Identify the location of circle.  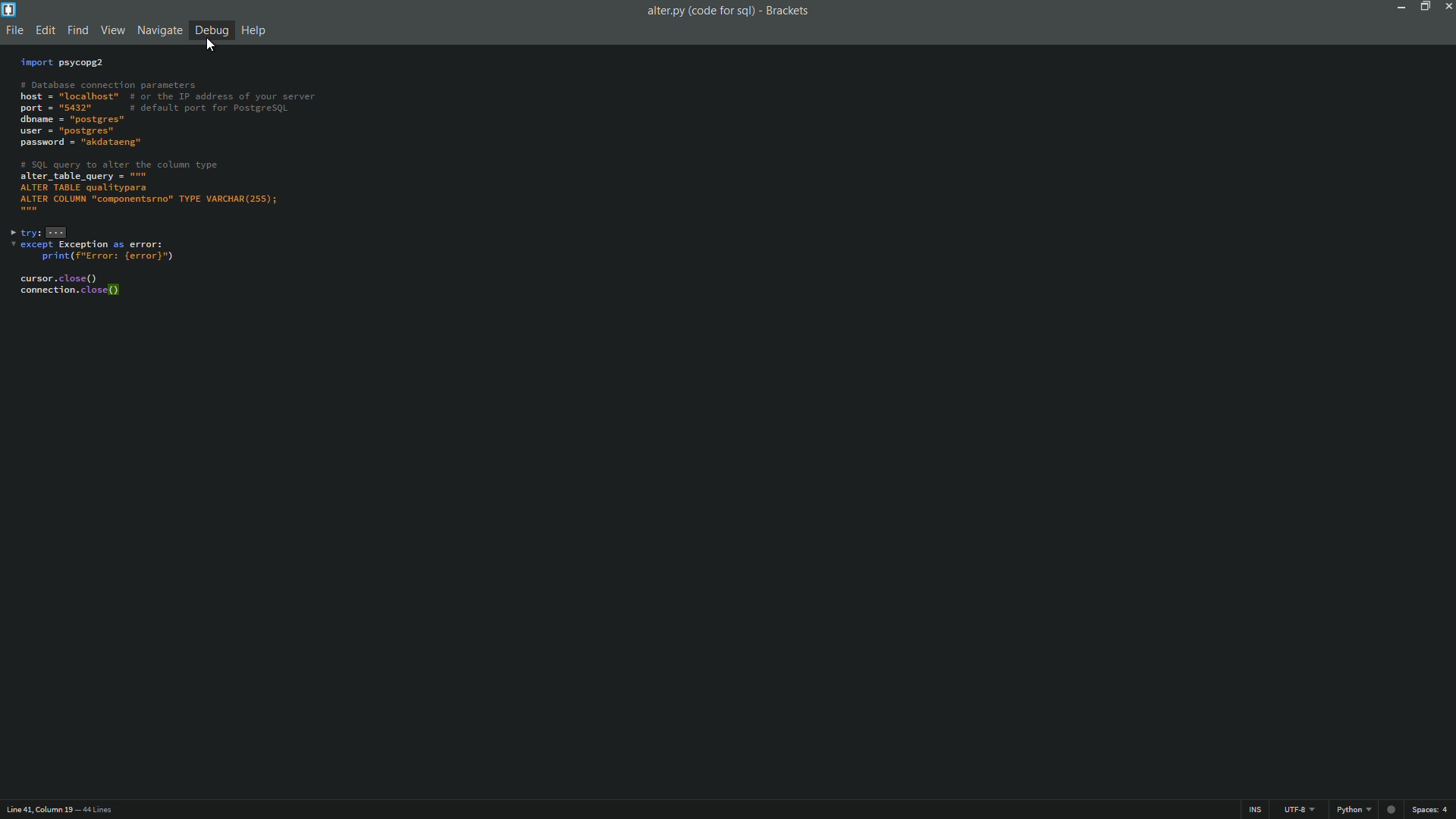
(1392, 809).